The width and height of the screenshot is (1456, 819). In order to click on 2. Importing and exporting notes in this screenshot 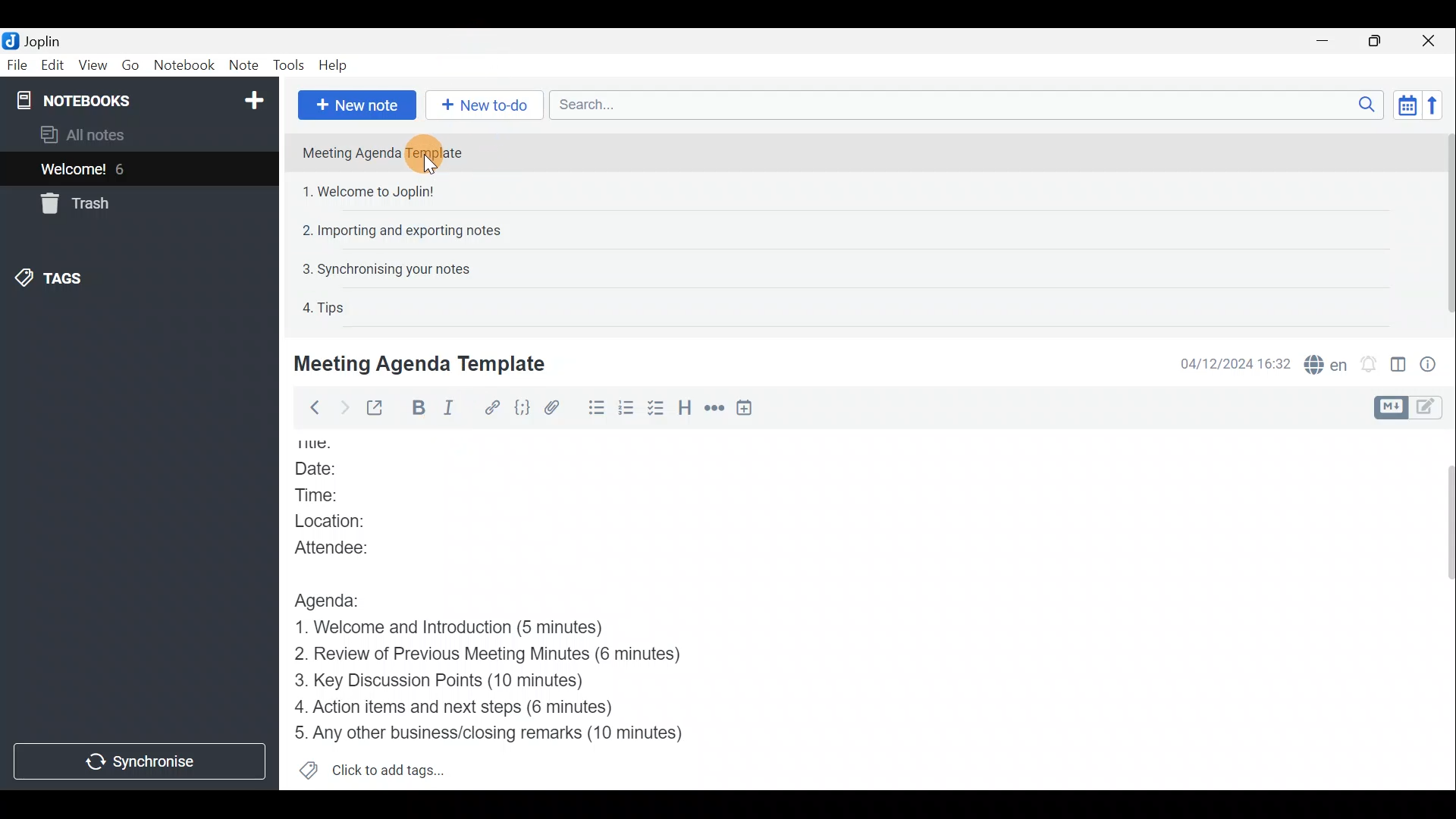, I will do `click(407, 231)`.